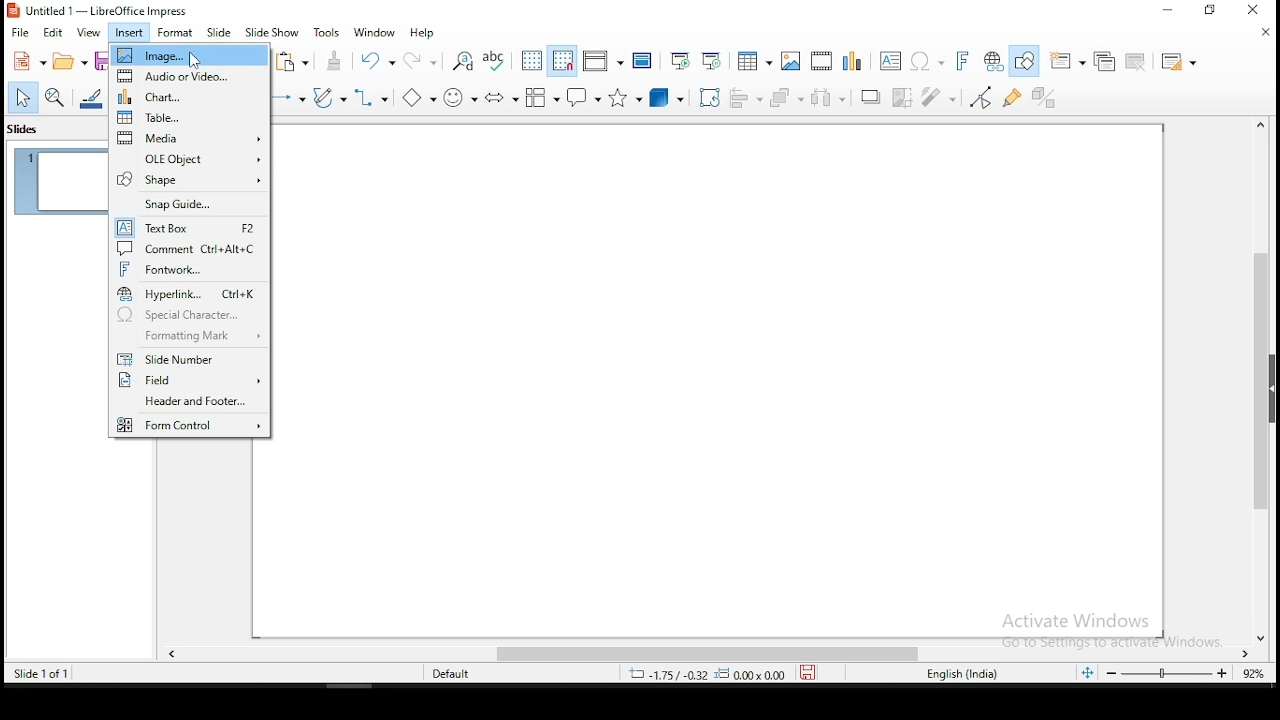 This screenshot has height=720, width=1280. I want to click on ellipse, so click(289, 98).